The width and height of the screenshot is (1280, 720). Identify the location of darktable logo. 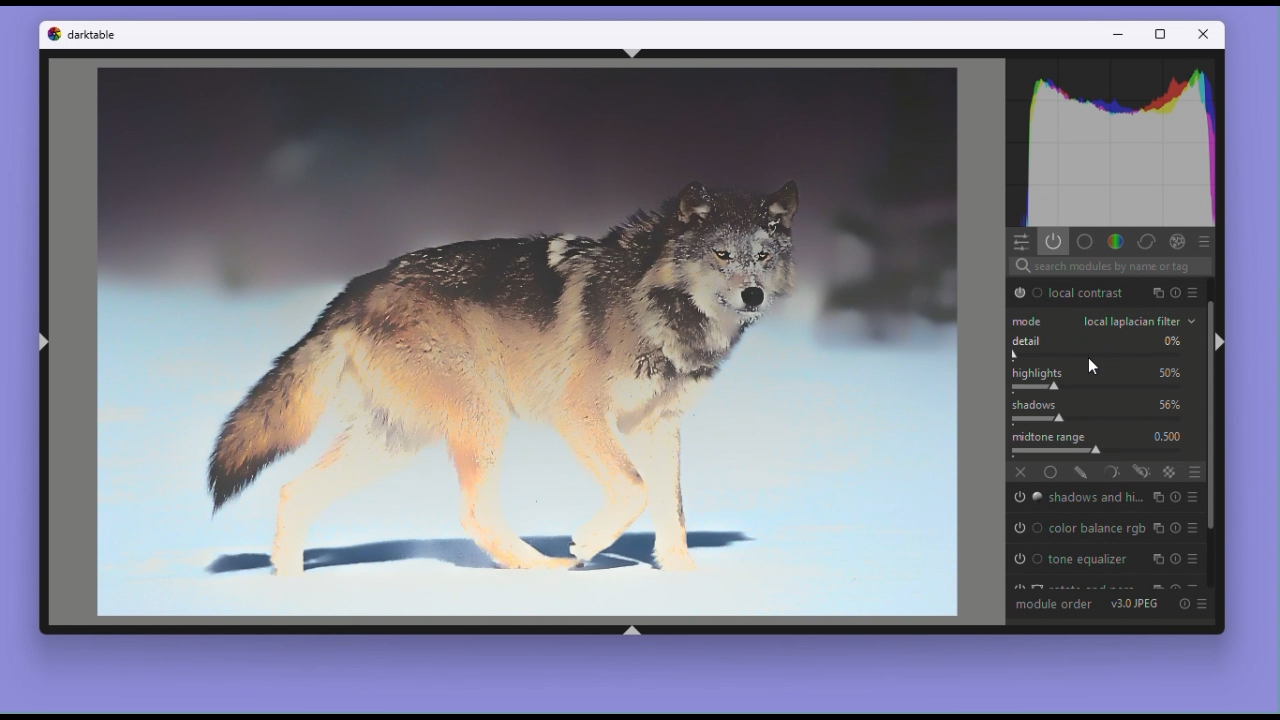
(55, 35).